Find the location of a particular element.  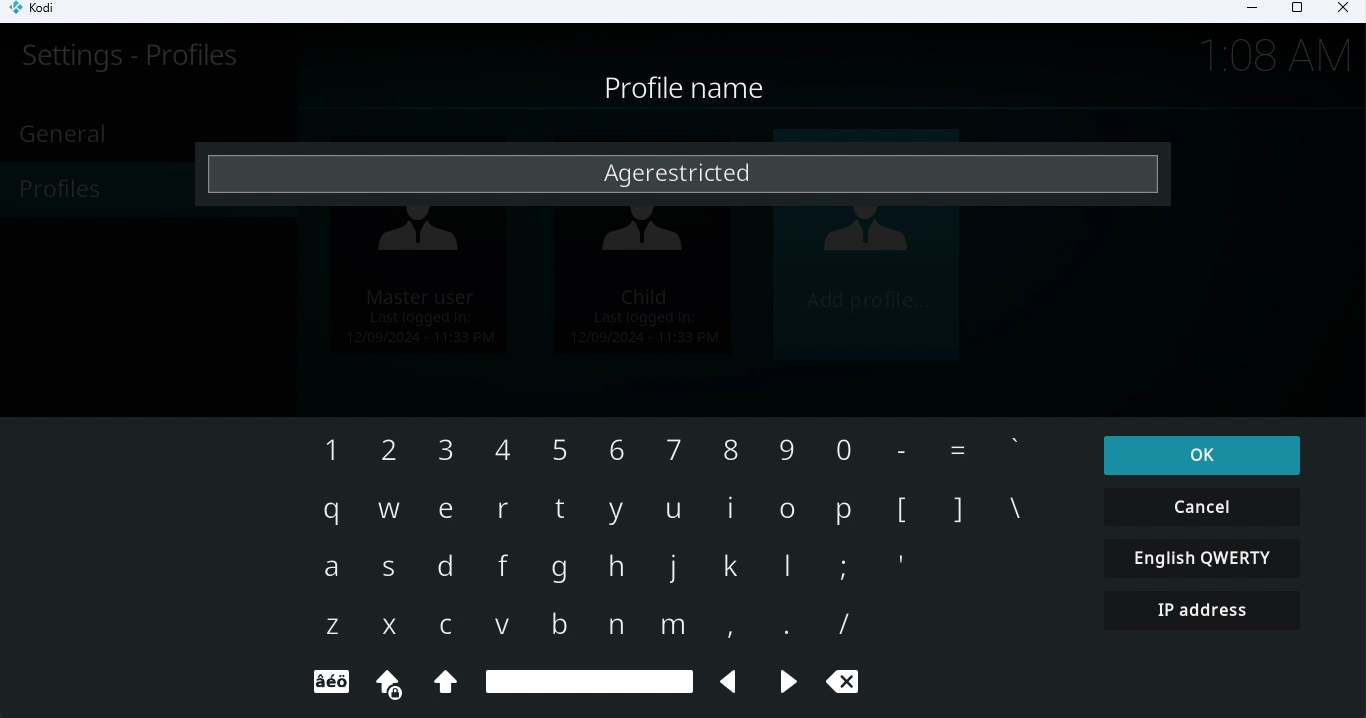

English QWERTY is located at coordinates (1206, 561).